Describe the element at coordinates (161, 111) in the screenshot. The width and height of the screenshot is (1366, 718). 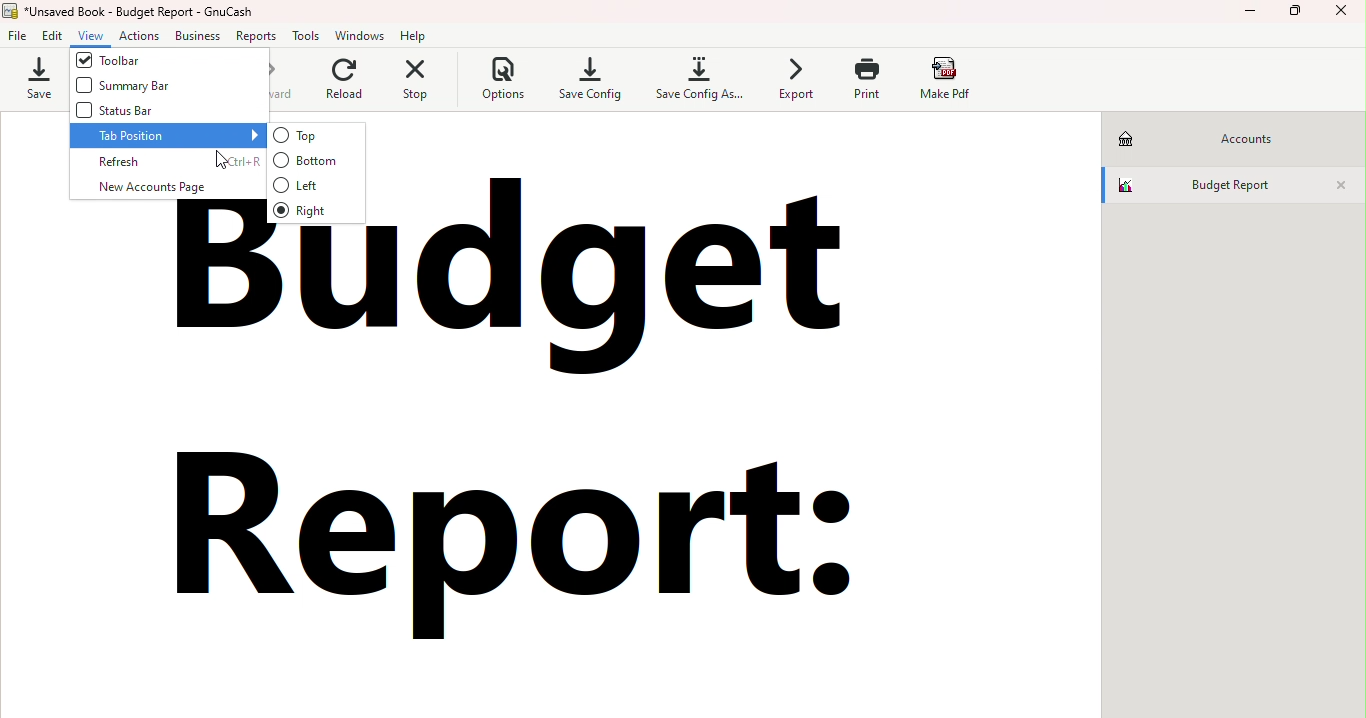
I see `Status bar` at that location.